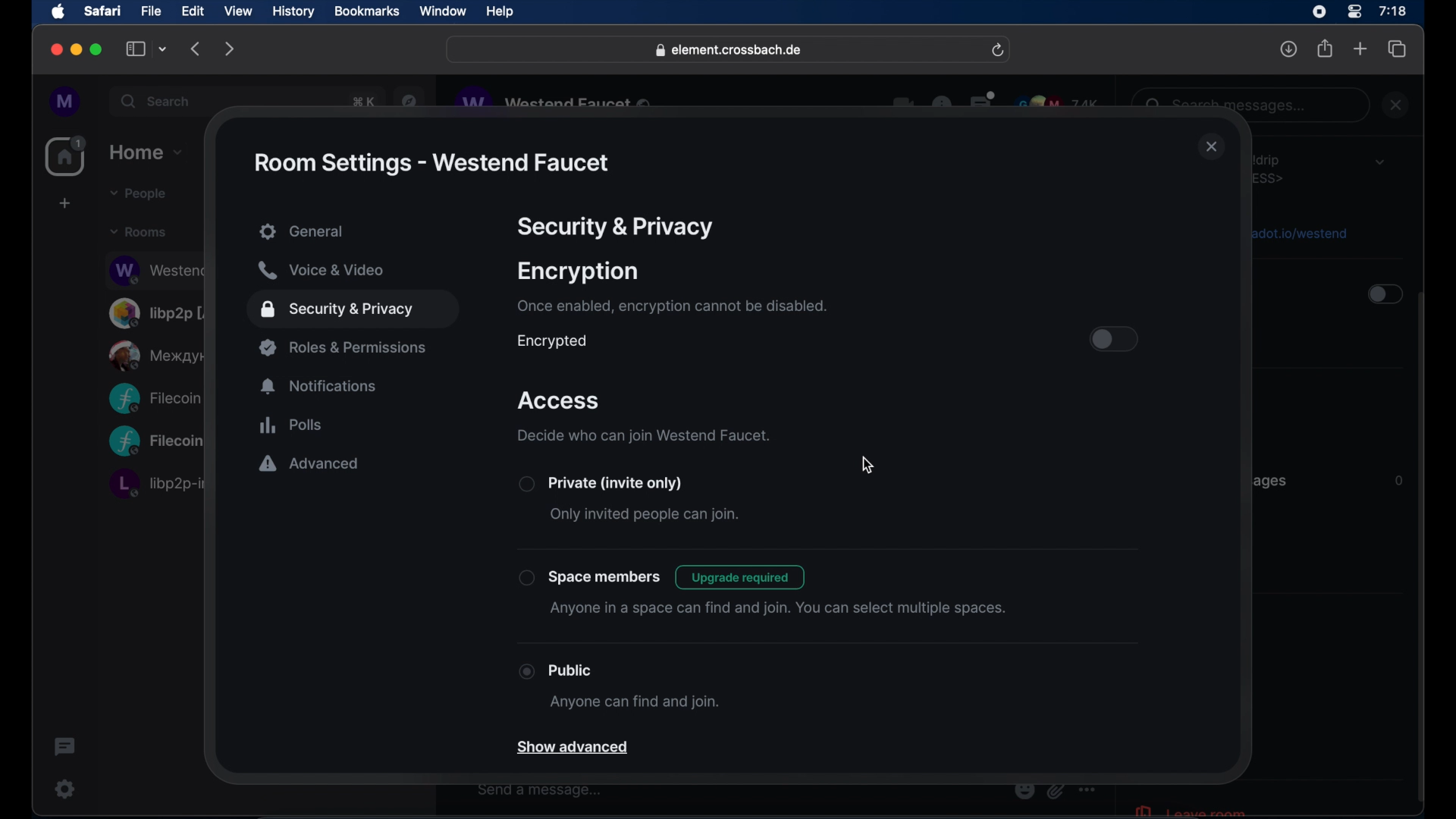 This screenshot has width=1456, height=819. Describe the element at coordinates (1398, 49) in the screenshot. I see `show tab overview` at that location.